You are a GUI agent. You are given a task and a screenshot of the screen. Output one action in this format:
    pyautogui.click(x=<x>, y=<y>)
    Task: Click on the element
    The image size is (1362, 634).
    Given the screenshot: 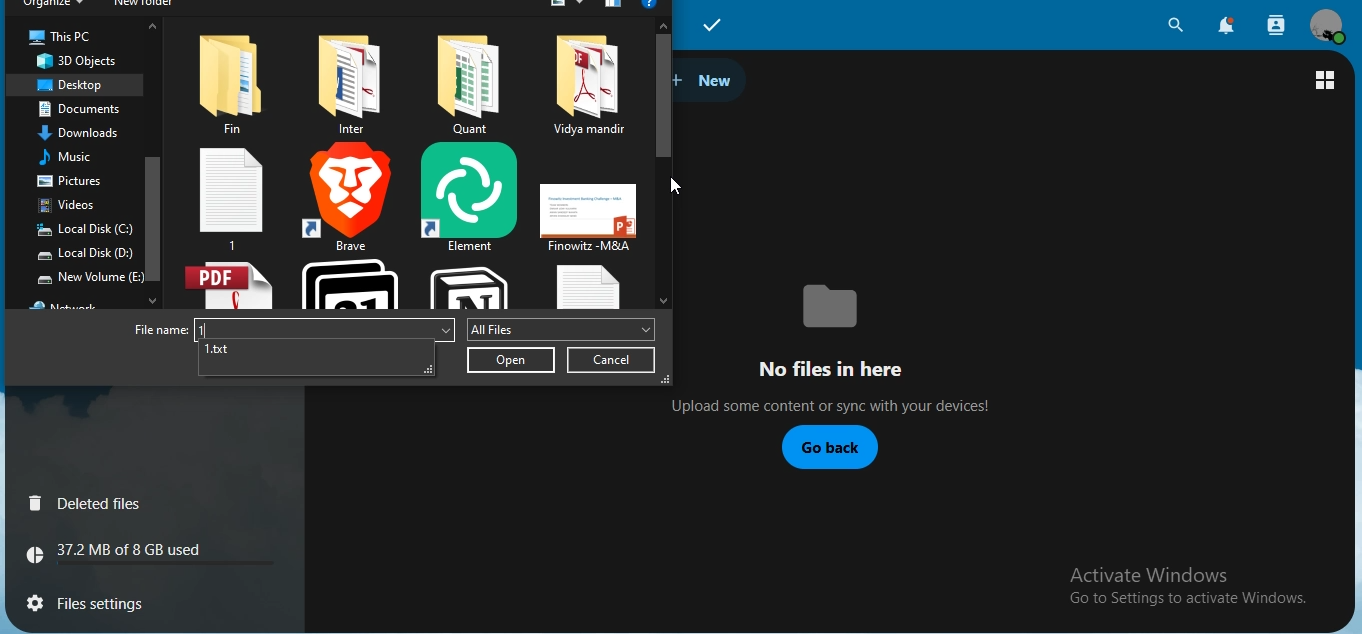 What is the action you would take?
    pyautogui.click(x=467, y=197)
    